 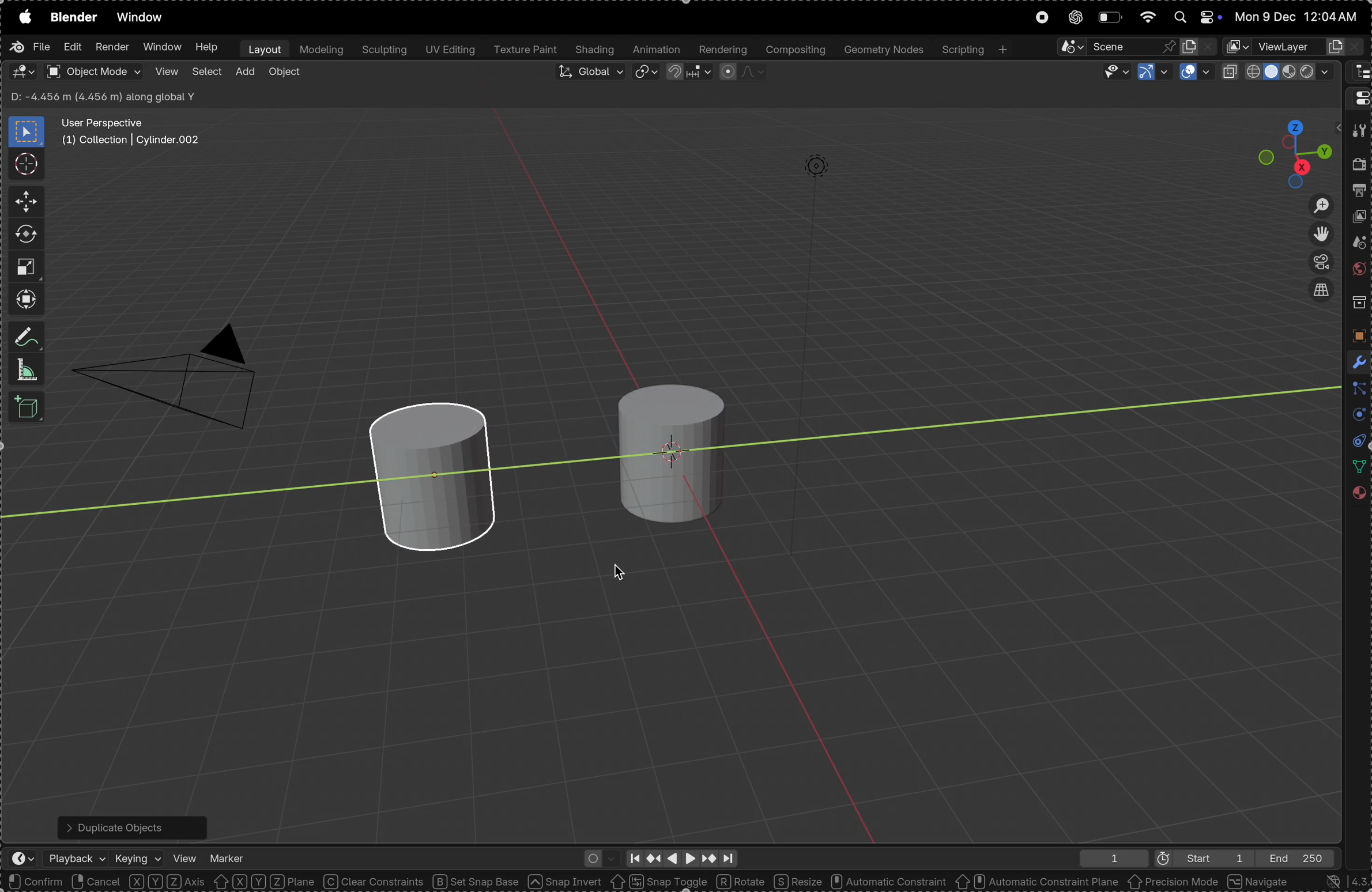 What do you see at coordinates (27, 370) in the screenshot?
I see `measure` at bounding box center [27, 370].